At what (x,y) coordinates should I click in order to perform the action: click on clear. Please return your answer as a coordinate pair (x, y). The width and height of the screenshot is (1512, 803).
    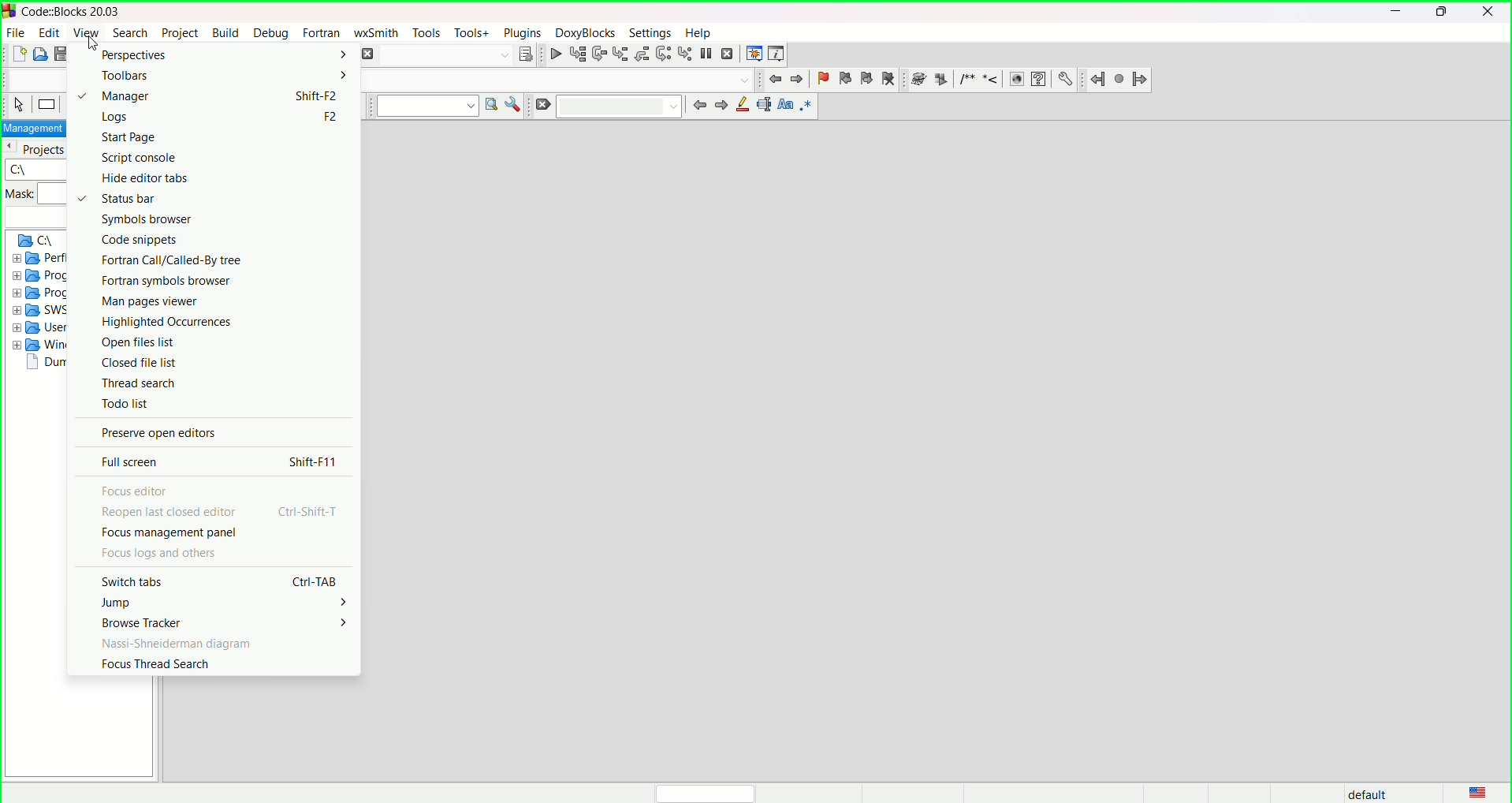
    Looking at the image, I should click on (543, 104).